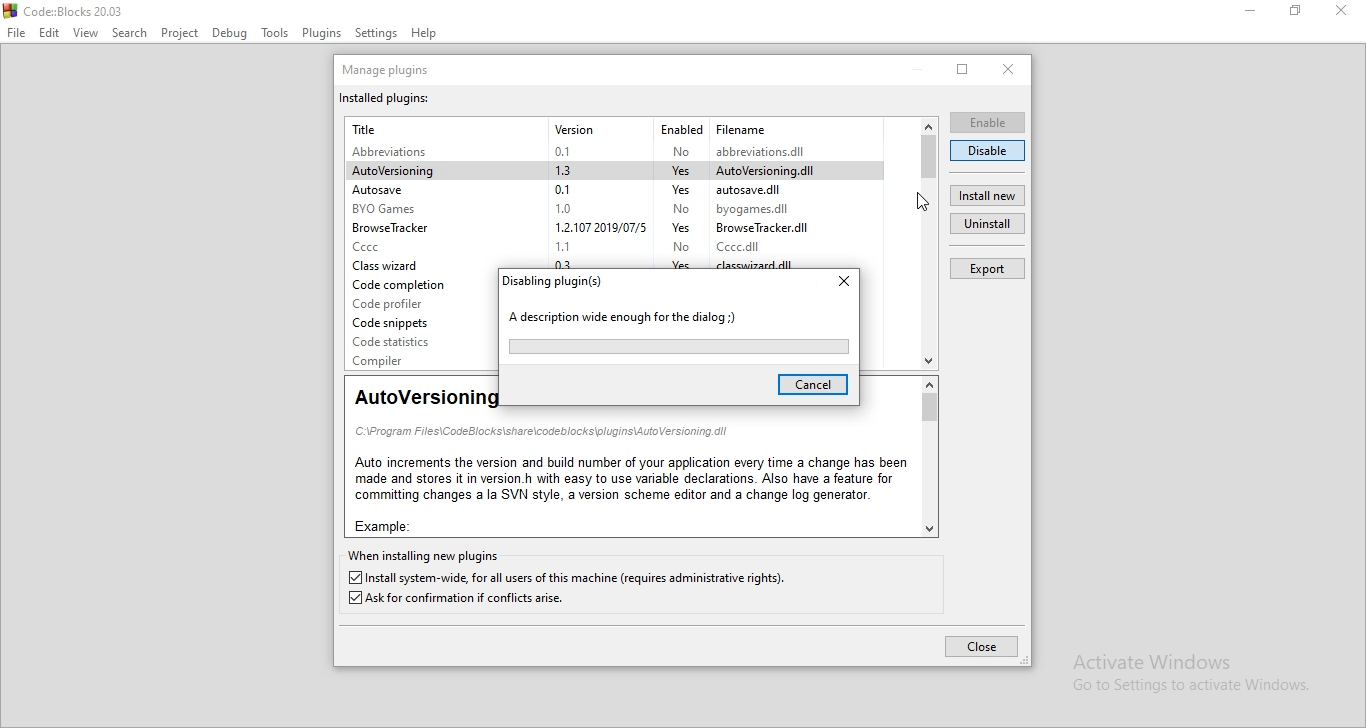 The width and height of the screenshot is (1366, 728). I want to click on Edit, so click(49, 33).